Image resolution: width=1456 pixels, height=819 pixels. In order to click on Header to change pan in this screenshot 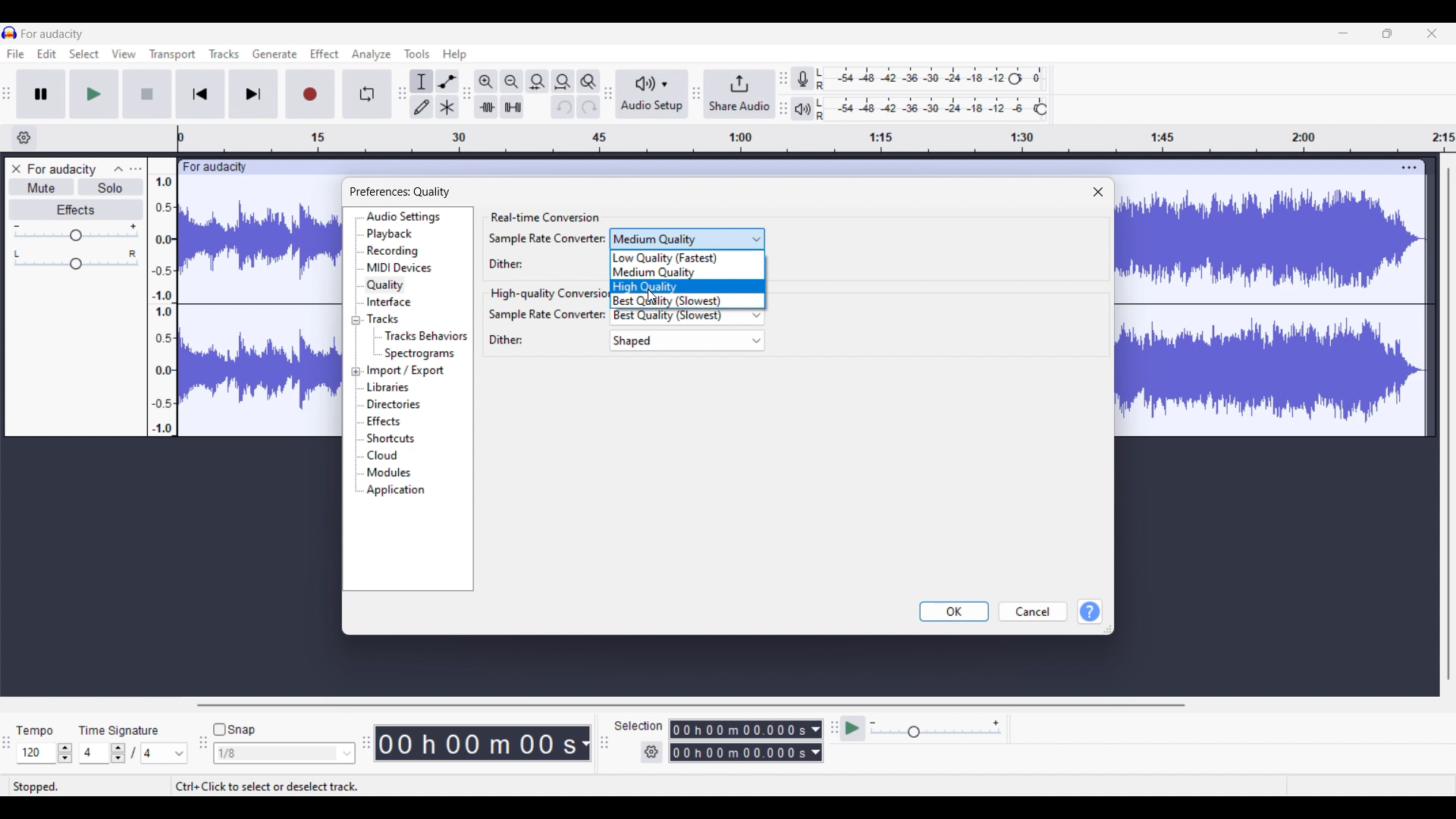, I will do `click(76, 264)`.